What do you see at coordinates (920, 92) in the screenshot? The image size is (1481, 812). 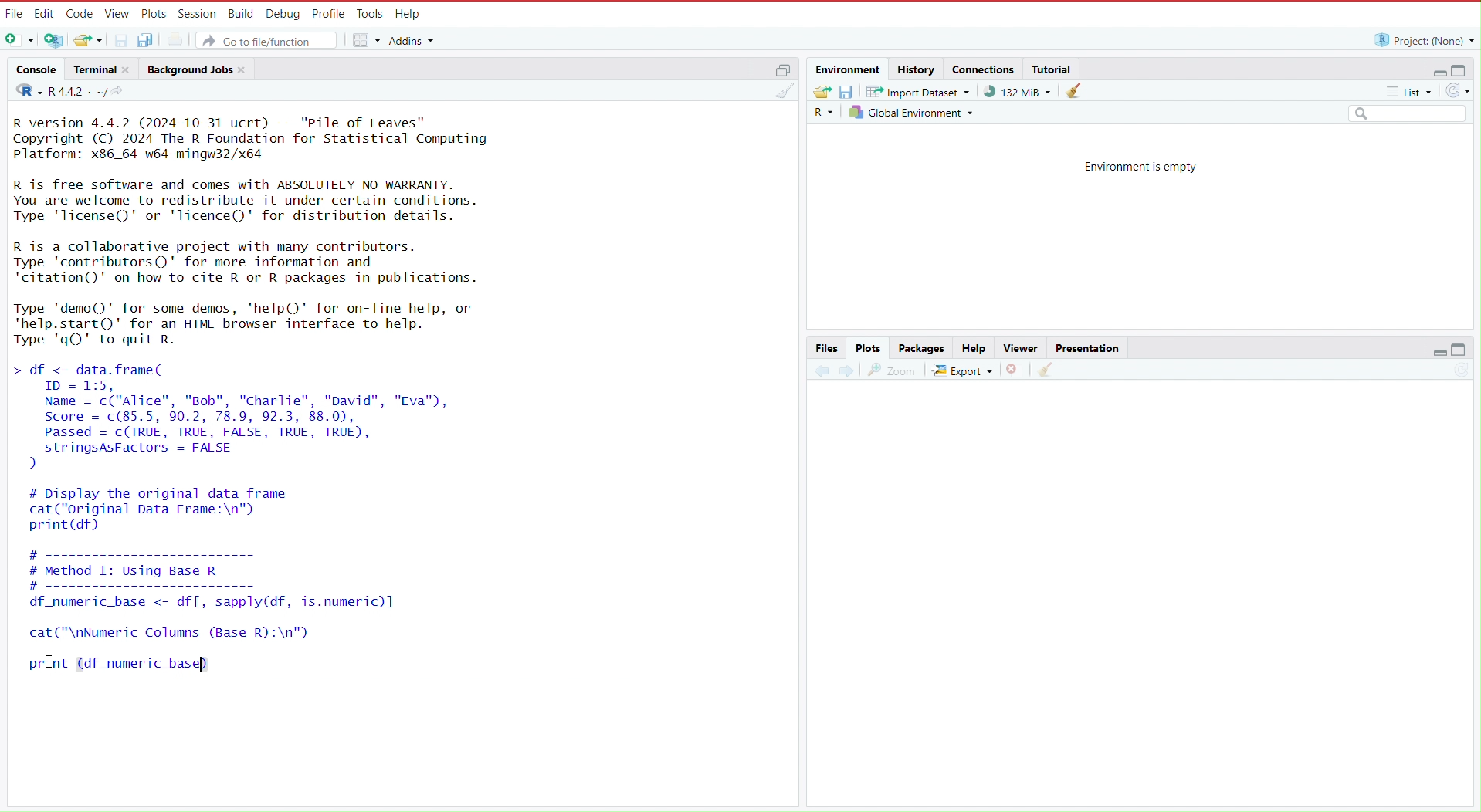 I see `Import dataset` at bounding box center [920, 92].